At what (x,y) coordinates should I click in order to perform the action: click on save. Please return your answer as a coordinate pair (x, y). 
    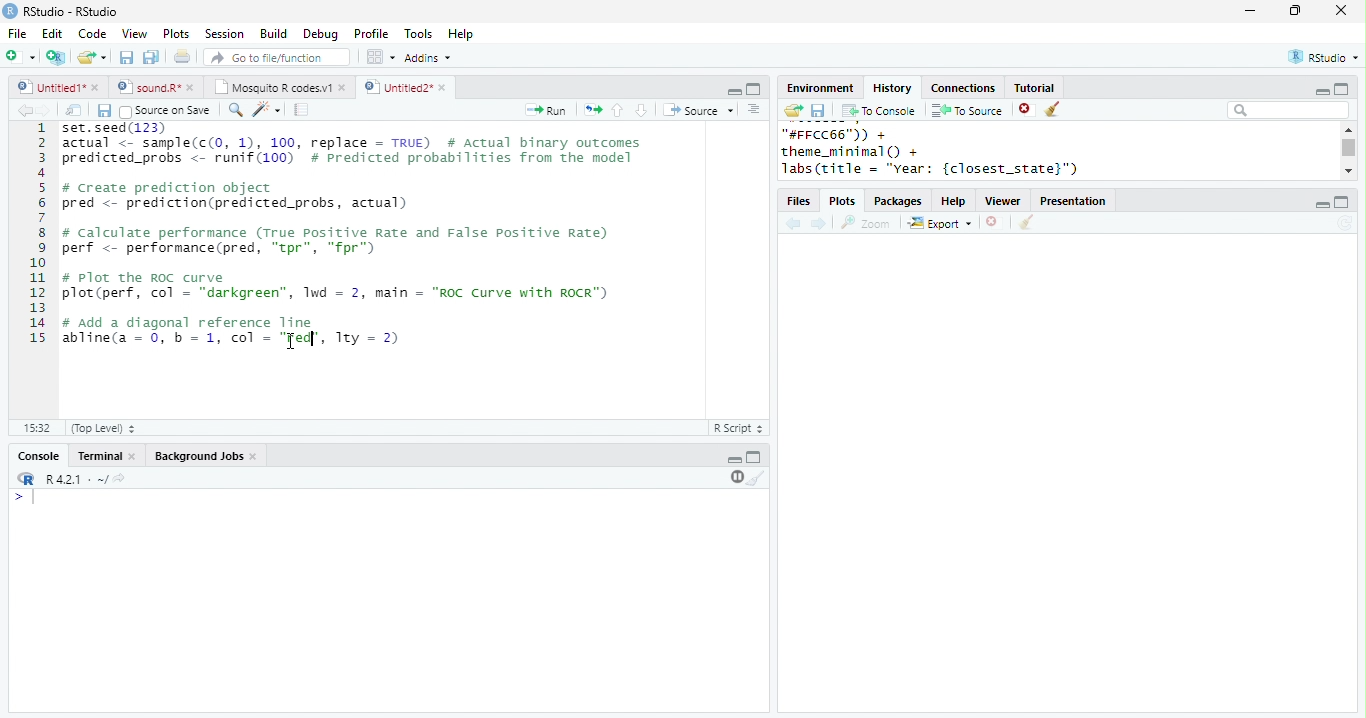
    Looking at the image, I should click on (818, 111).